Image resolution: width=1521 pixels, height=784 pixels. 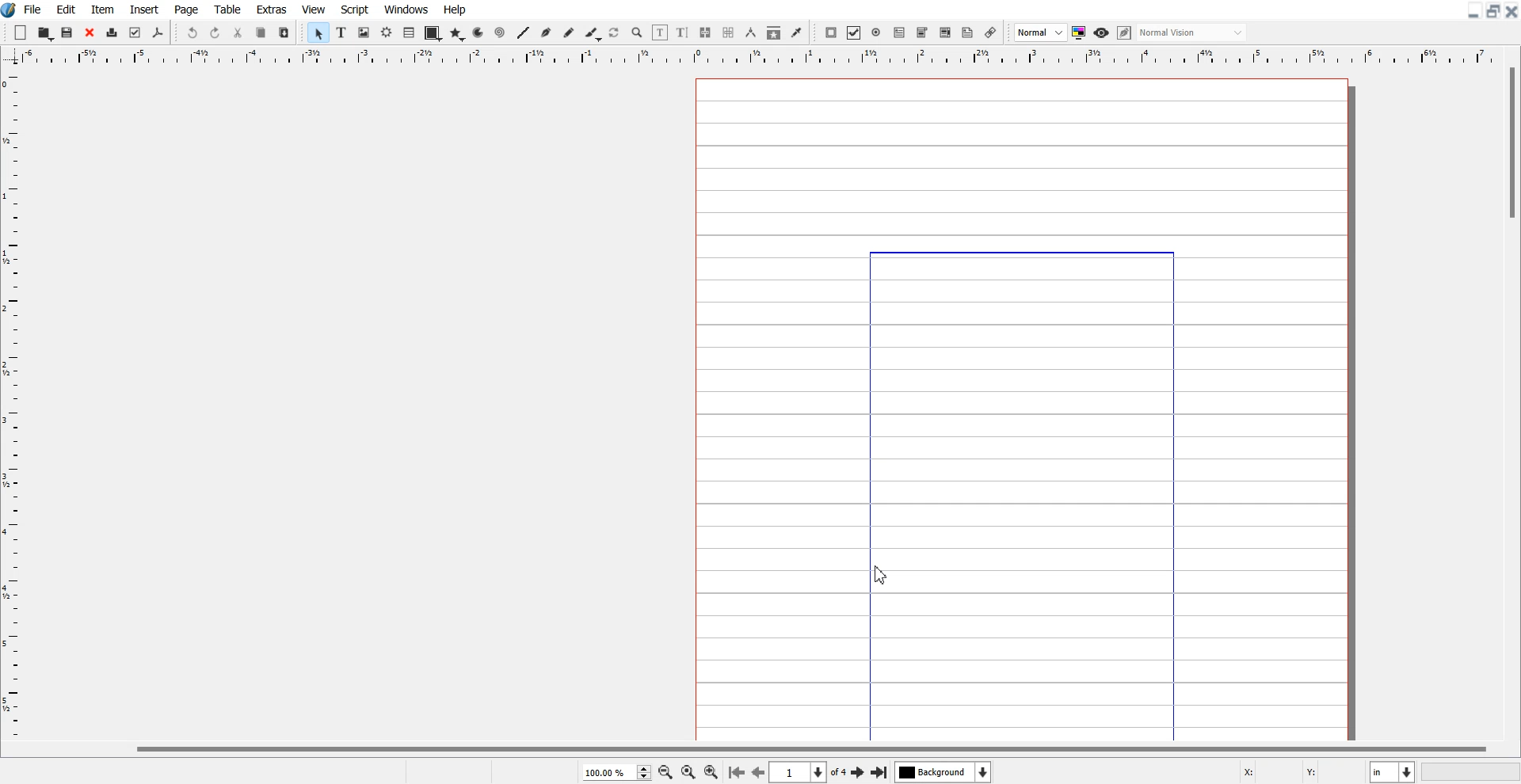 I want to click on PDF Combo Box, so click(x=921, y=32).